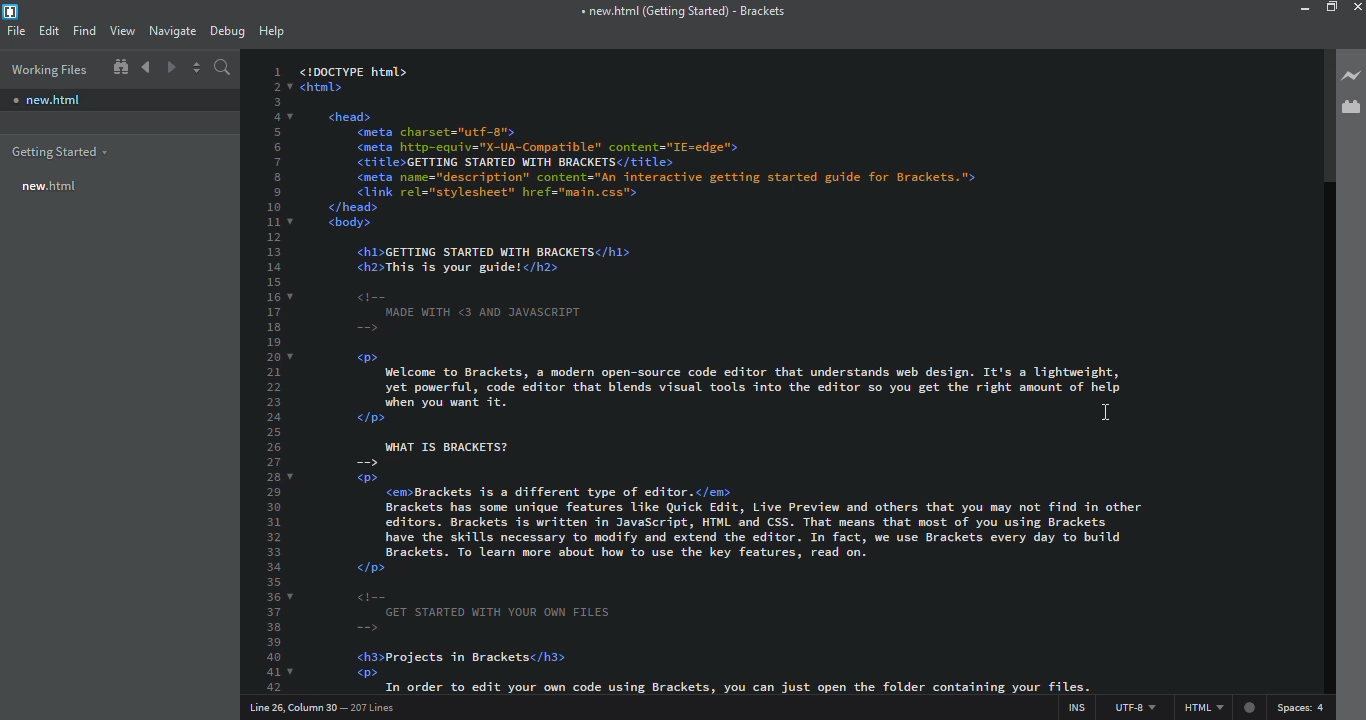  I want to click on line number, so click(271, 379).